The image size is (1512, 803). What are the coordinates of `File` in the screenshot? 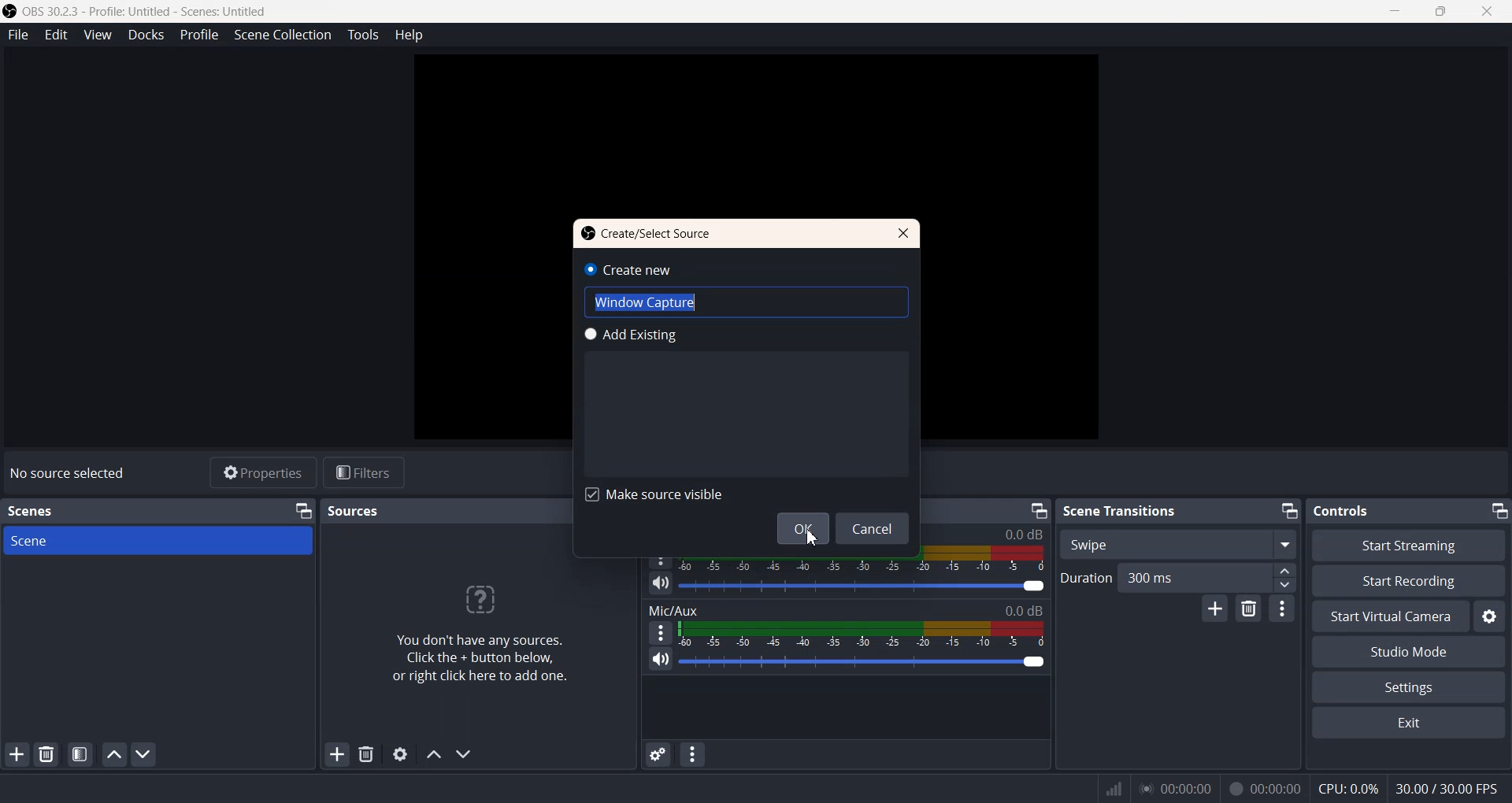 It's located at (18, 35).